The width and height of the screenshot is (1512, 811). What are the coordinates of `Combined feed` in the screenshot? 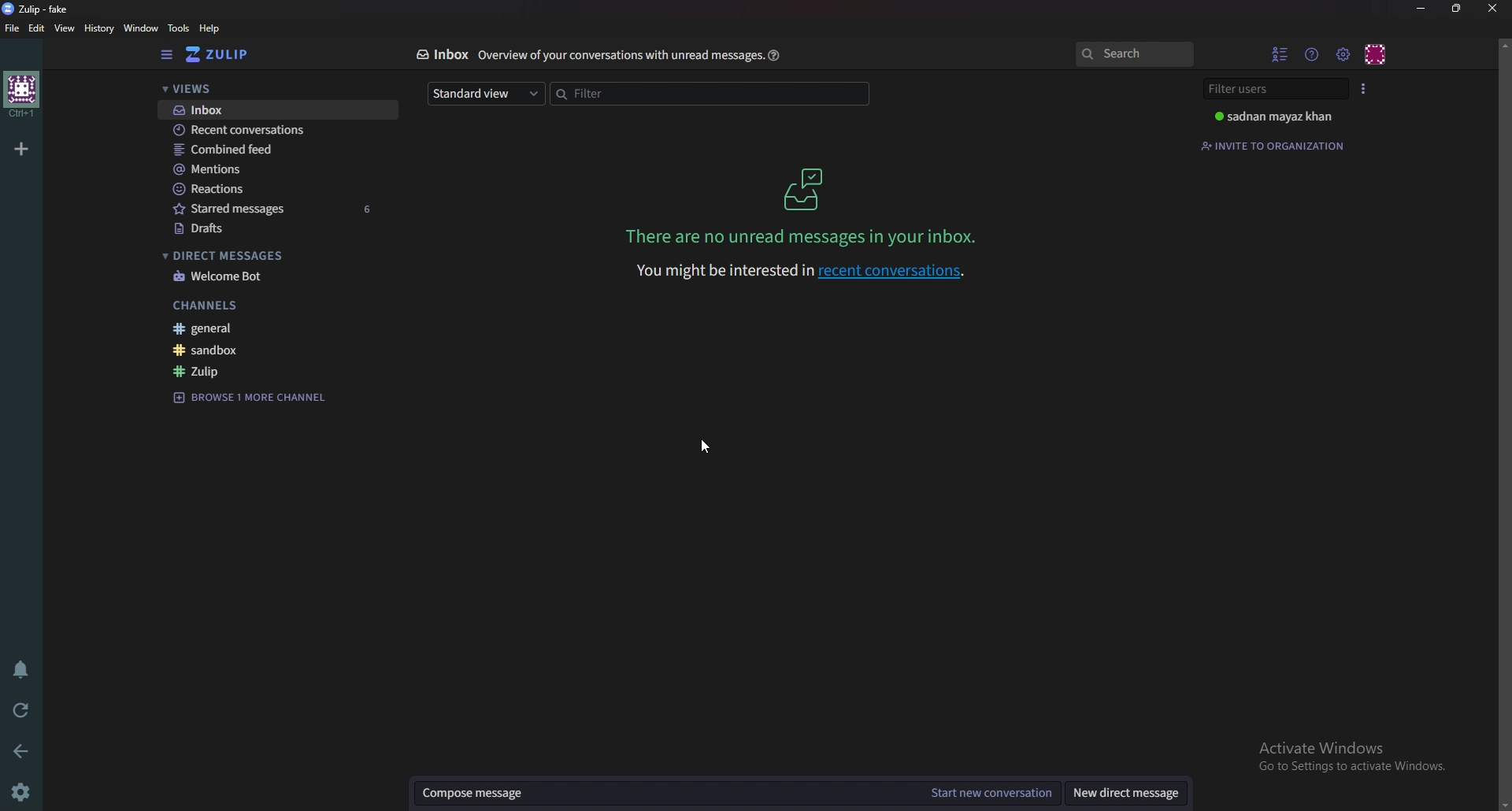 It's located at (272, 150).